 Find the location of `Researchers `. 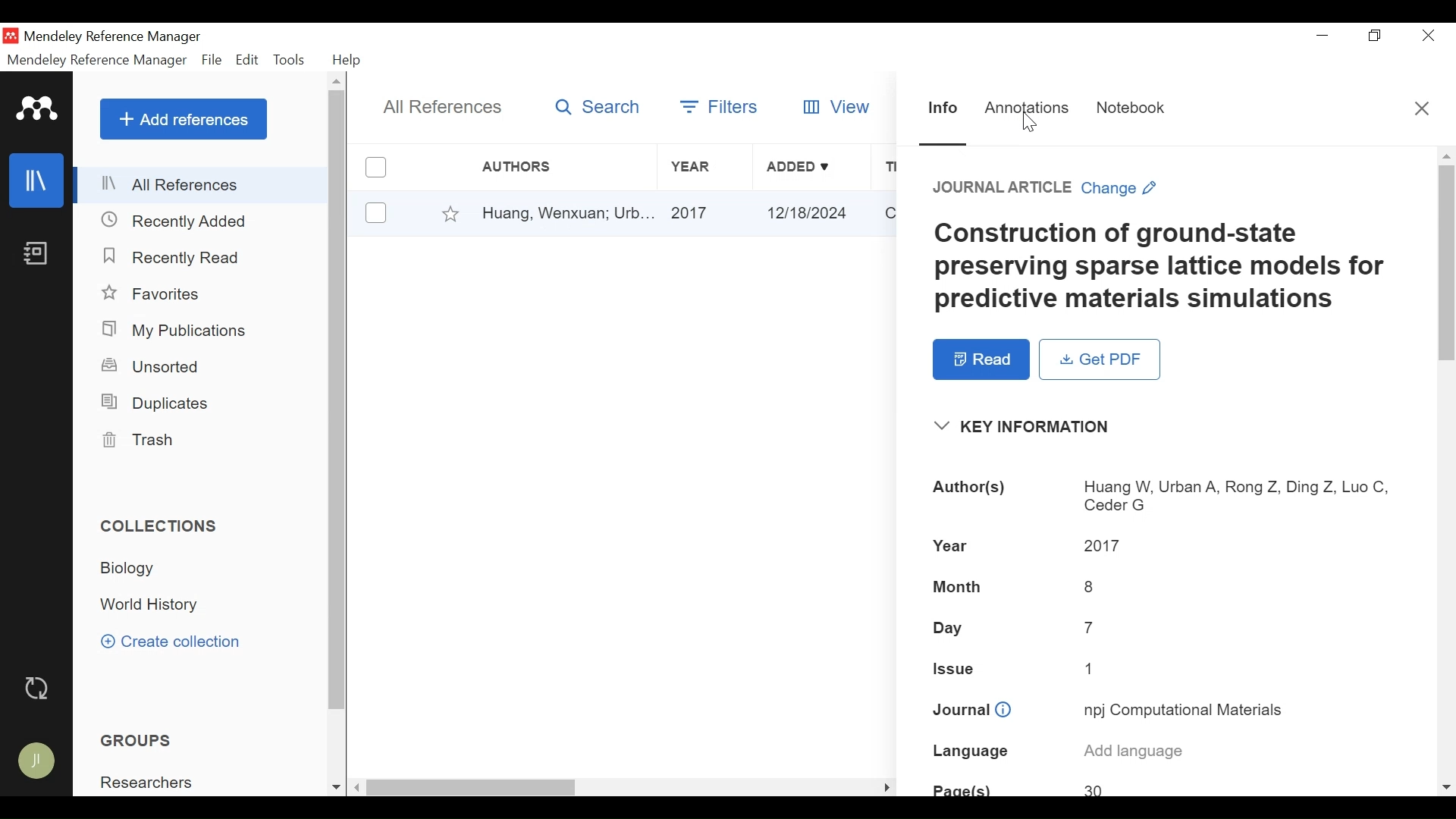

Researchers  is located at coordinates (149, 782).